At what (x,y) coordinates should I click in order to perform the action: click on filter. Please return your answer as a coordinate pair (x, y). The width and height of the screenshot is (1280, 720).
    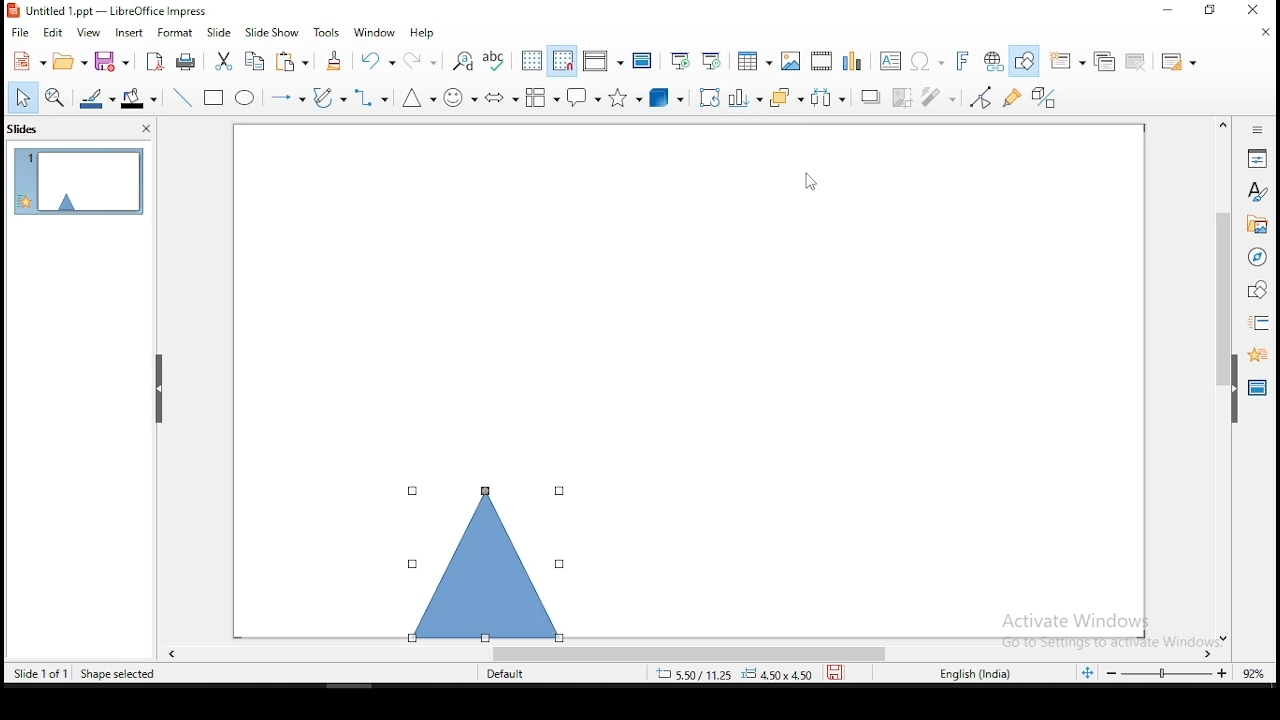
    Looking at the image, I should click on (943, 97).